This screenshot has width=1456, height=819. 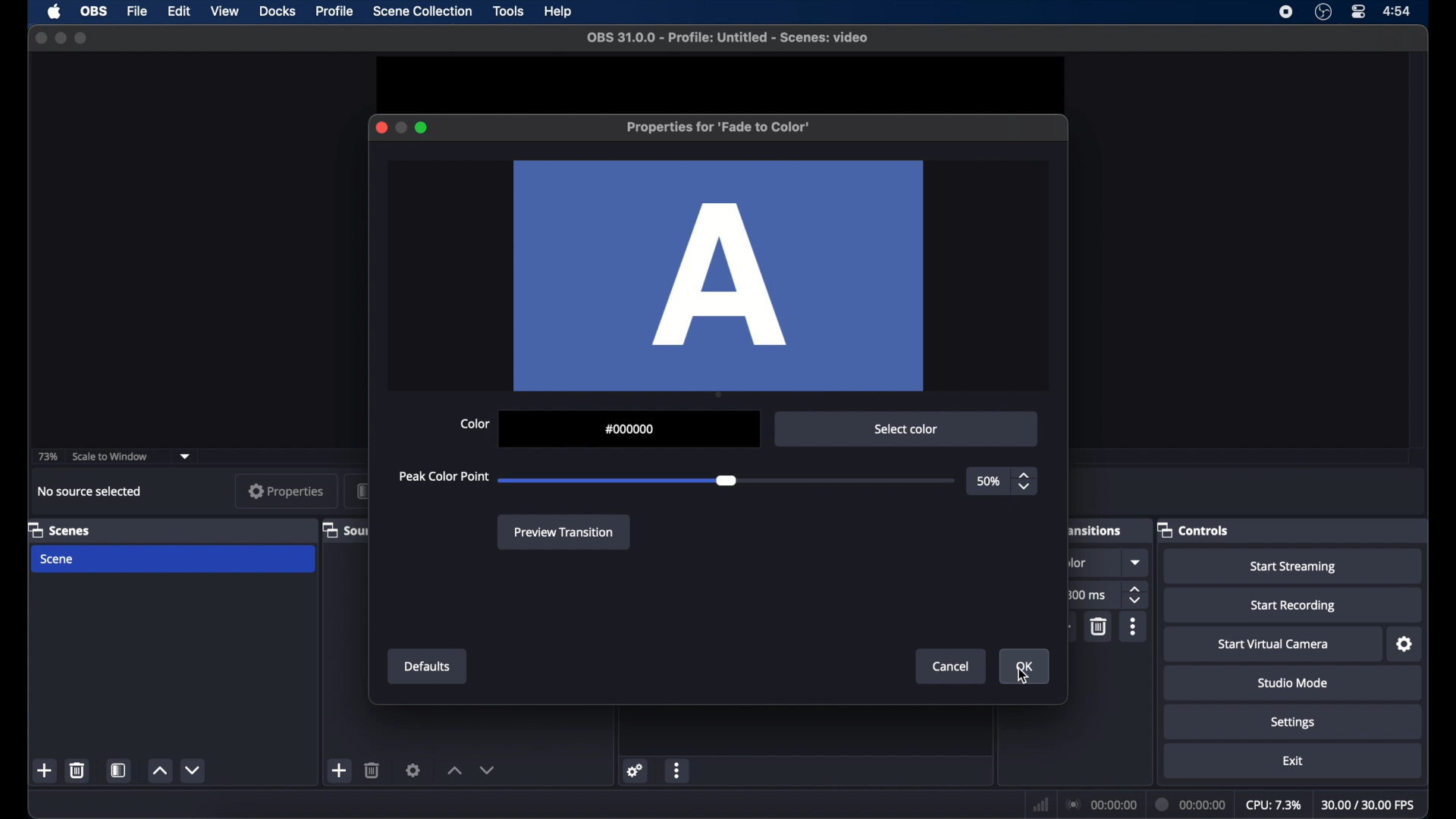 What do you see at coordinates (180, 11) in the screenshot?
I see `edit` at bounding box center [180, 11].